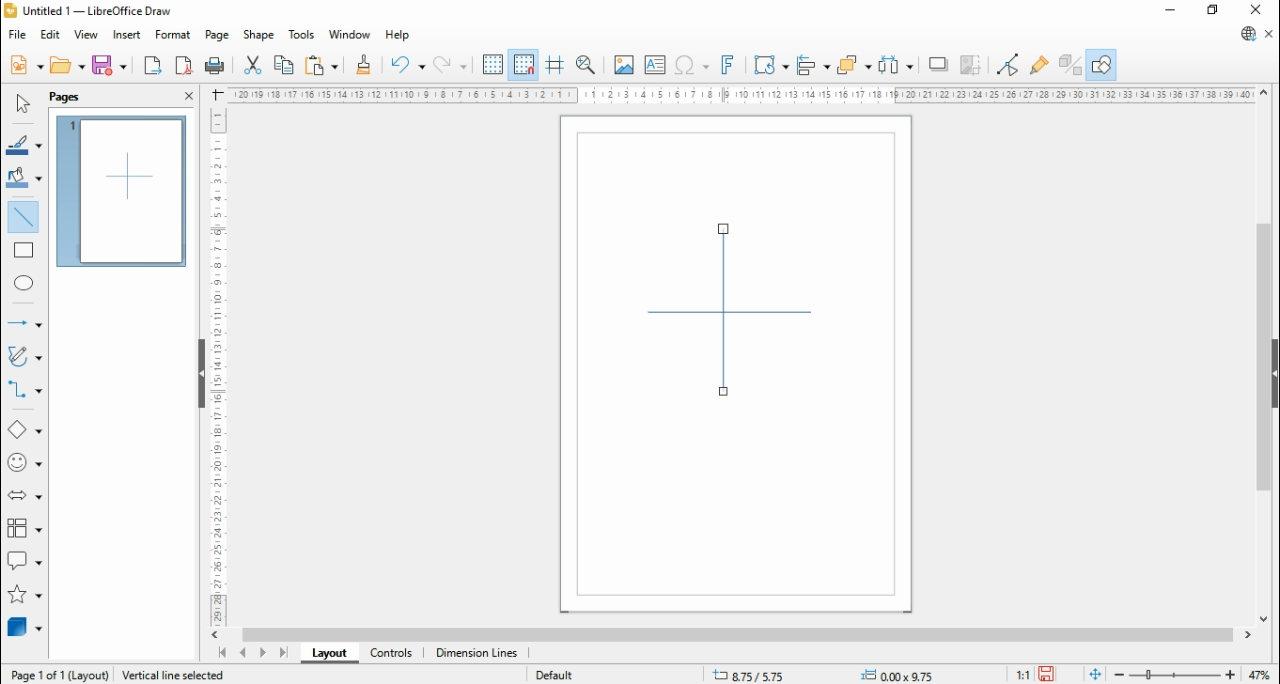 The height and width of the screenshot is (684, 1280). Describe the element at coordinates (1214, 11) in the screenshot. I see `restore` at that location.